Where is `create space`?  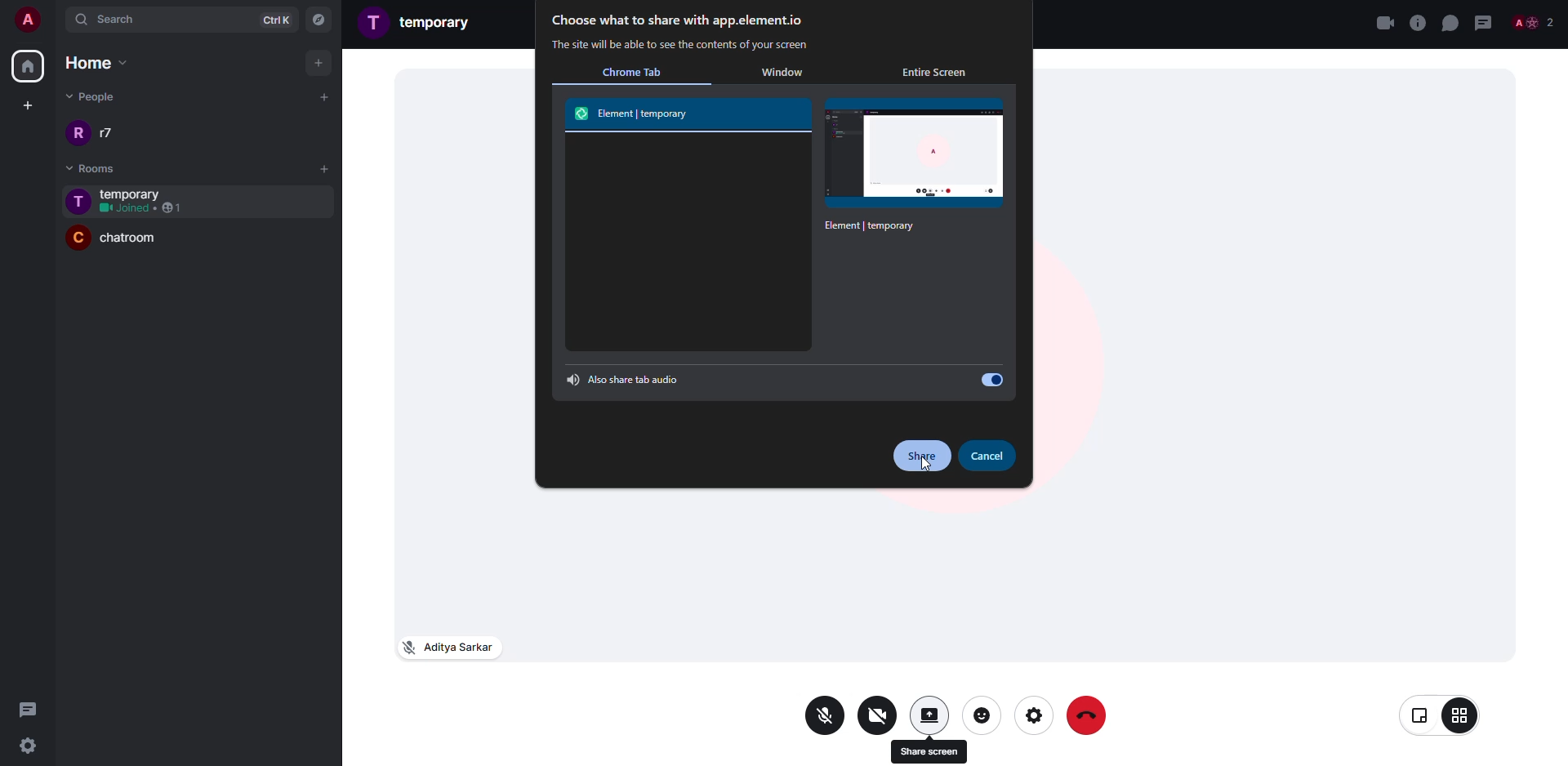 create space is located at coordinates (24, 105).